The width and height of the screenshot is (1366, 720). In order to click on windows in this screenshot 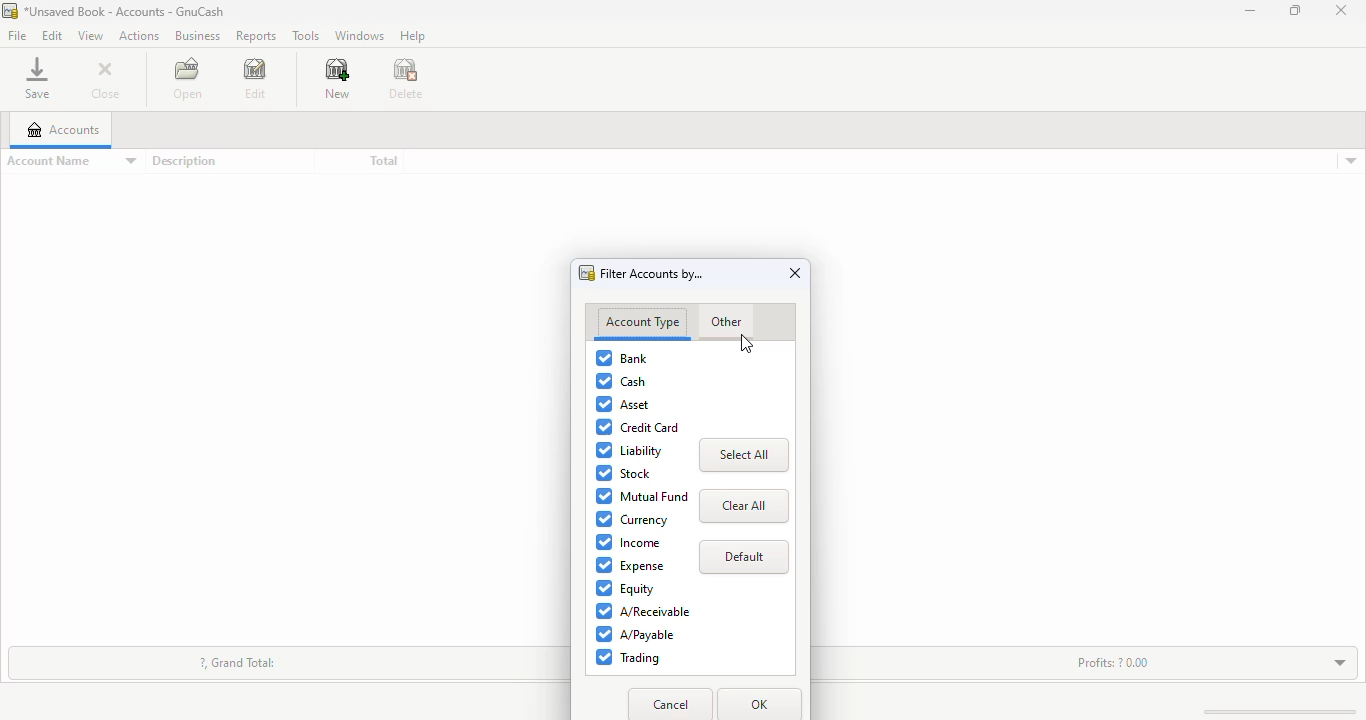, I will do `click(358, 36)`.